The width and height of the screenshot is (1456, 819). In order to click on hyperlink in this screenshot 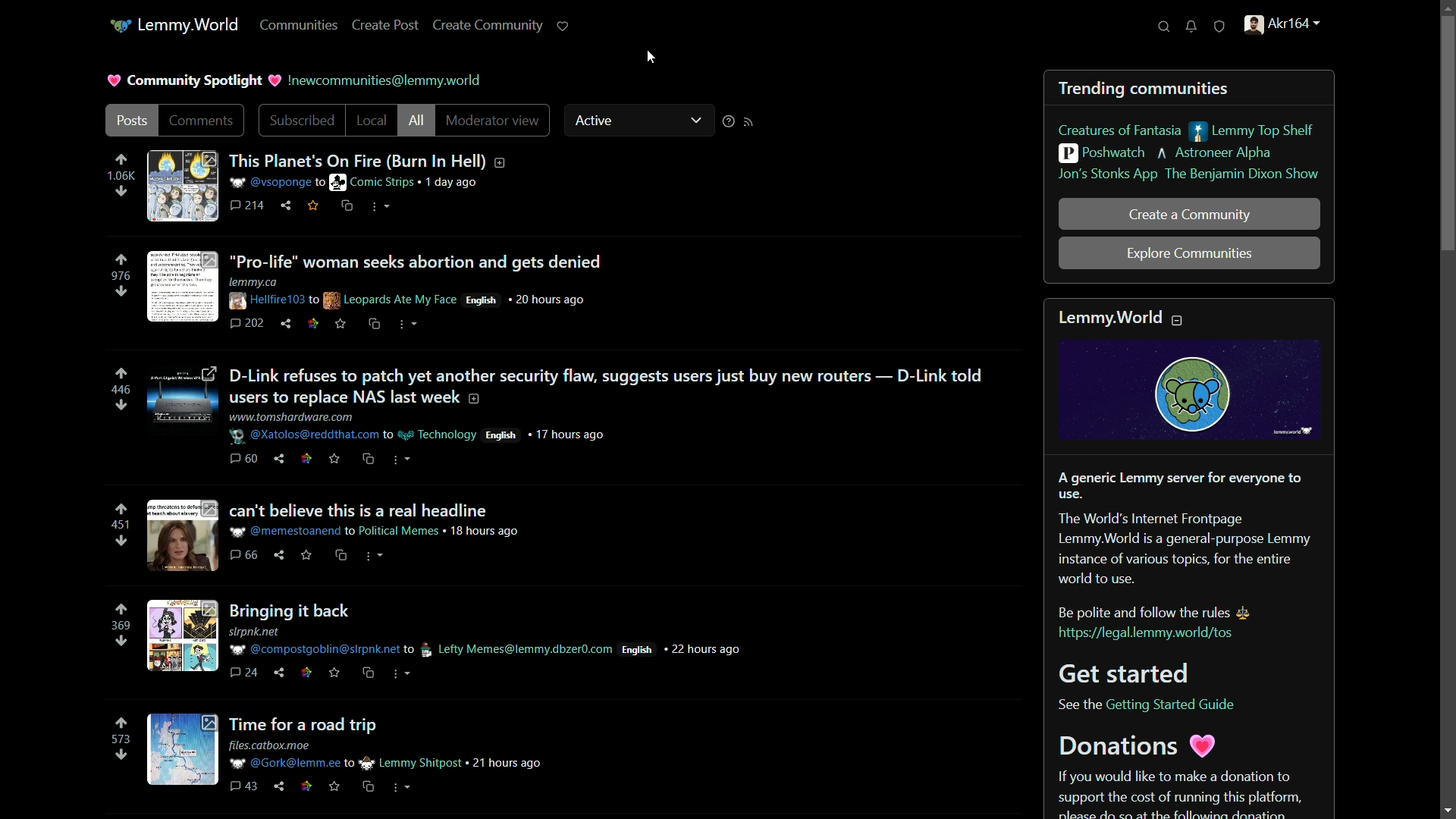, I will do `click(322, 183)`.